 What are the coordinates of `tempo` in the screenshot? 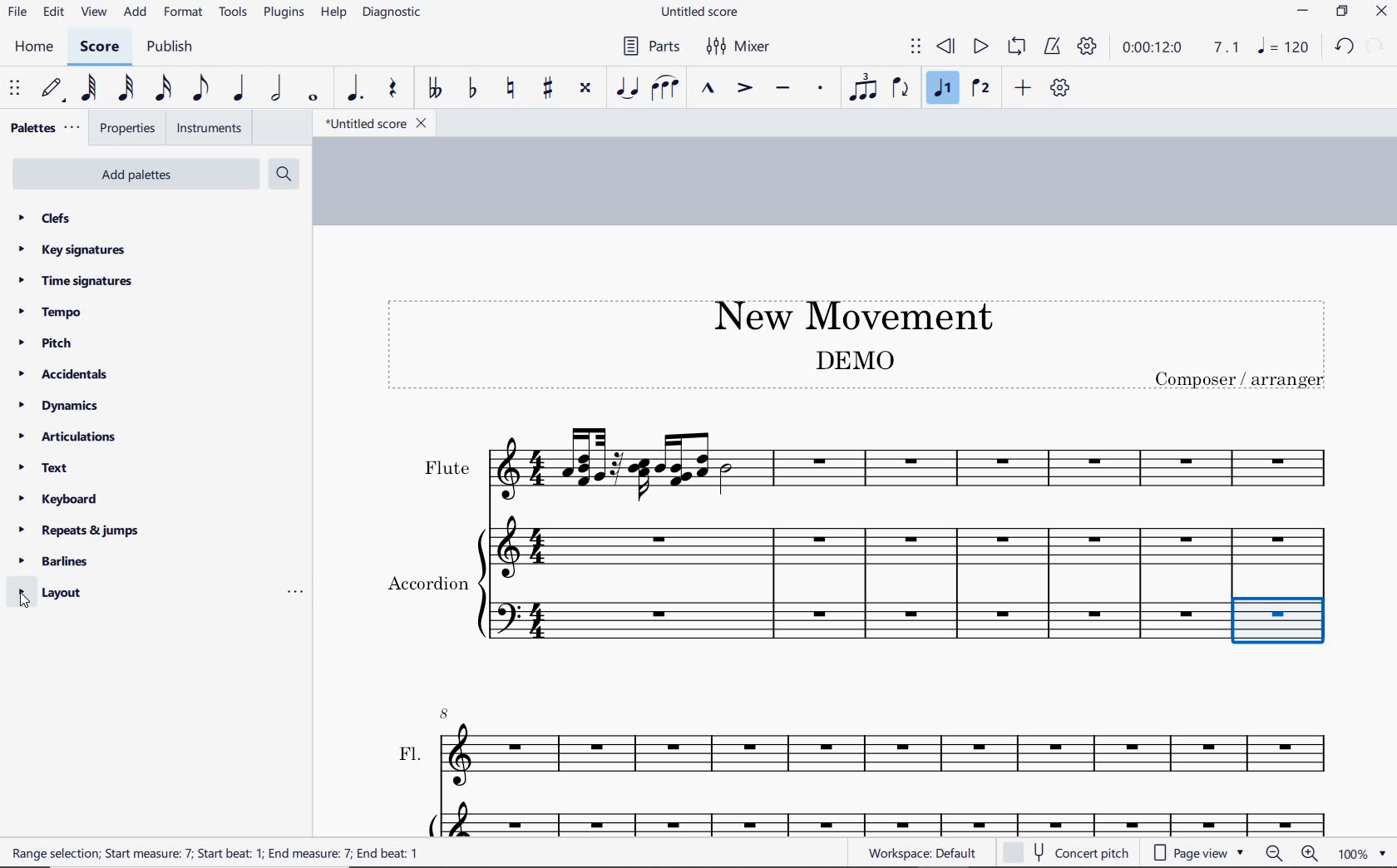 It's located at (55, 311).